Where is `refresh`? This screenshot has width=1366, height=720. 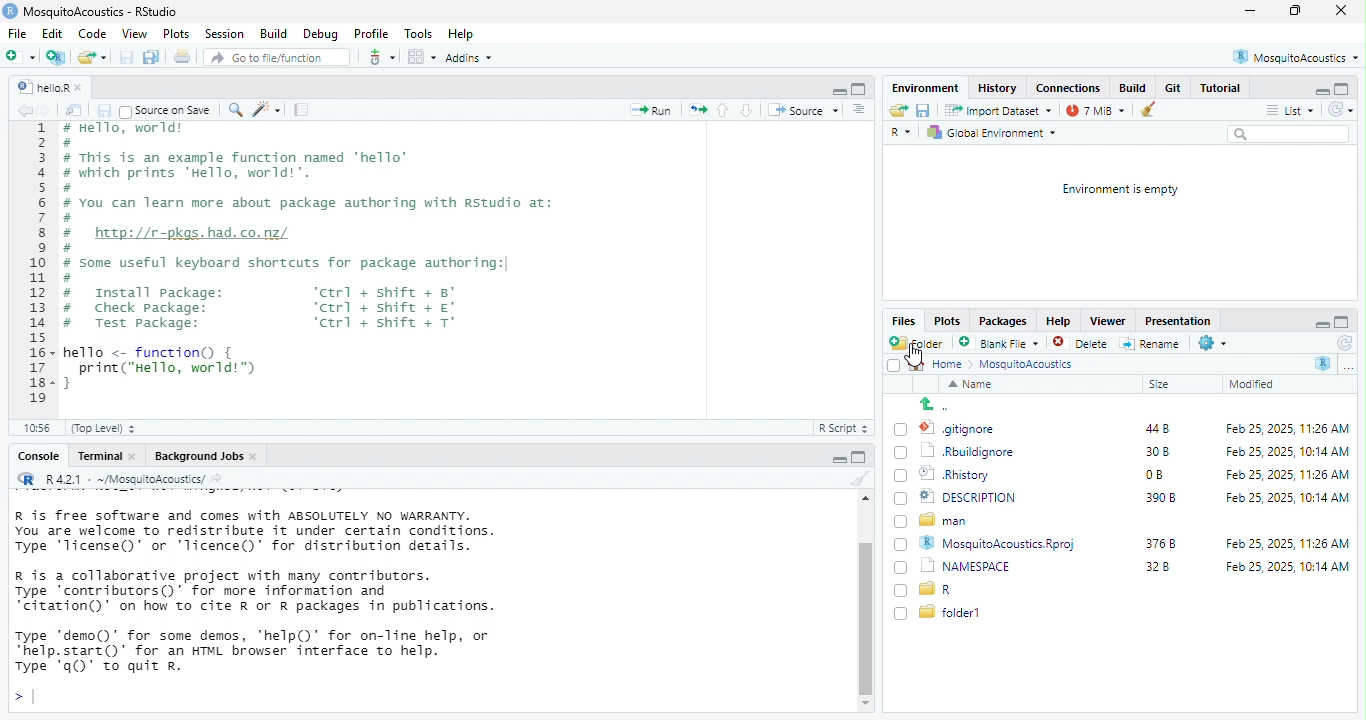
refresh is located at coordinates (1340, 343).